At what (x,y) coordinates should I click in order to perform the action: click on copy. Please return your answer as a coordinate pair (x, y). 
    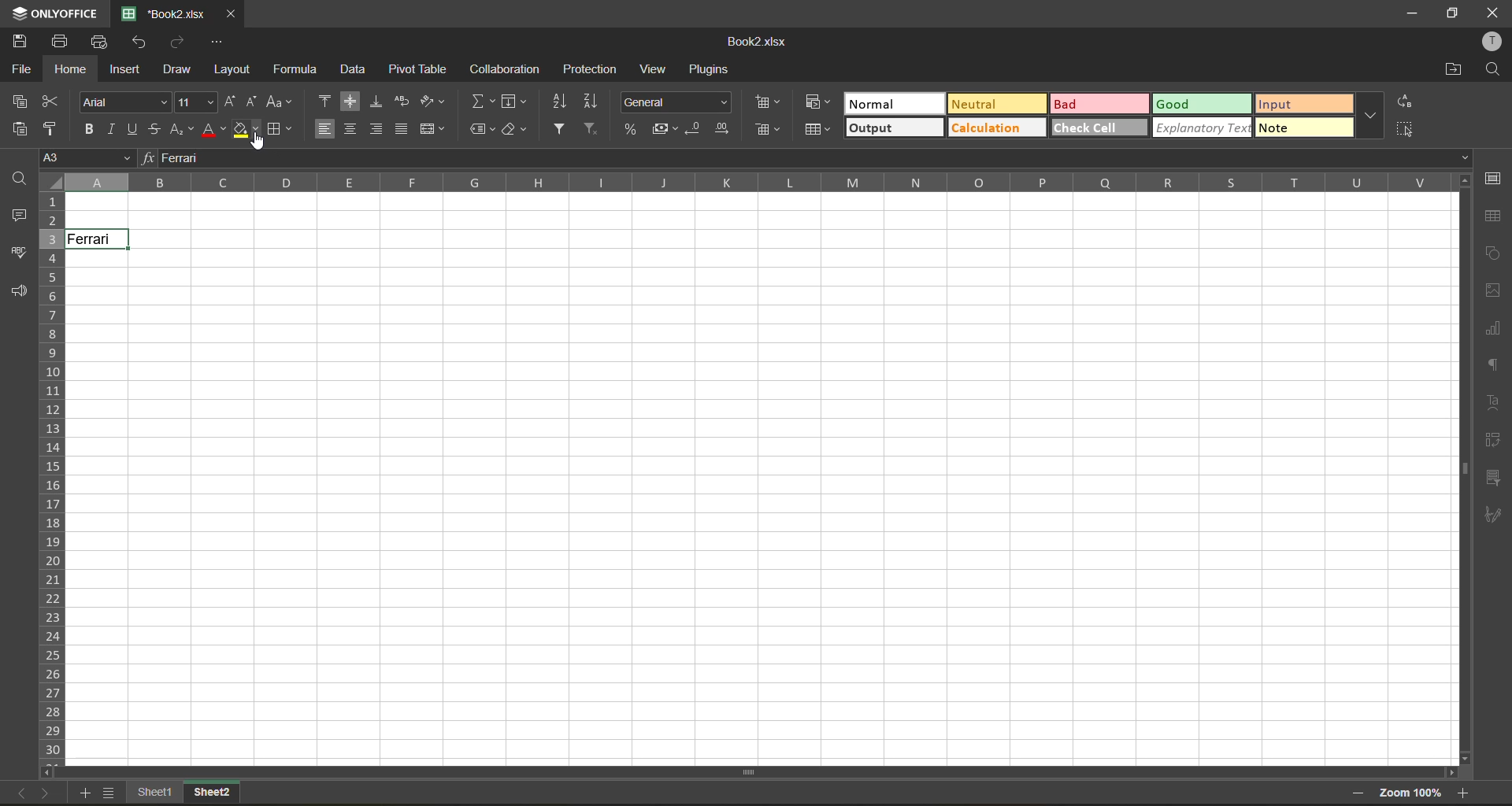
    Looking at the image, I should click on (20, 100).